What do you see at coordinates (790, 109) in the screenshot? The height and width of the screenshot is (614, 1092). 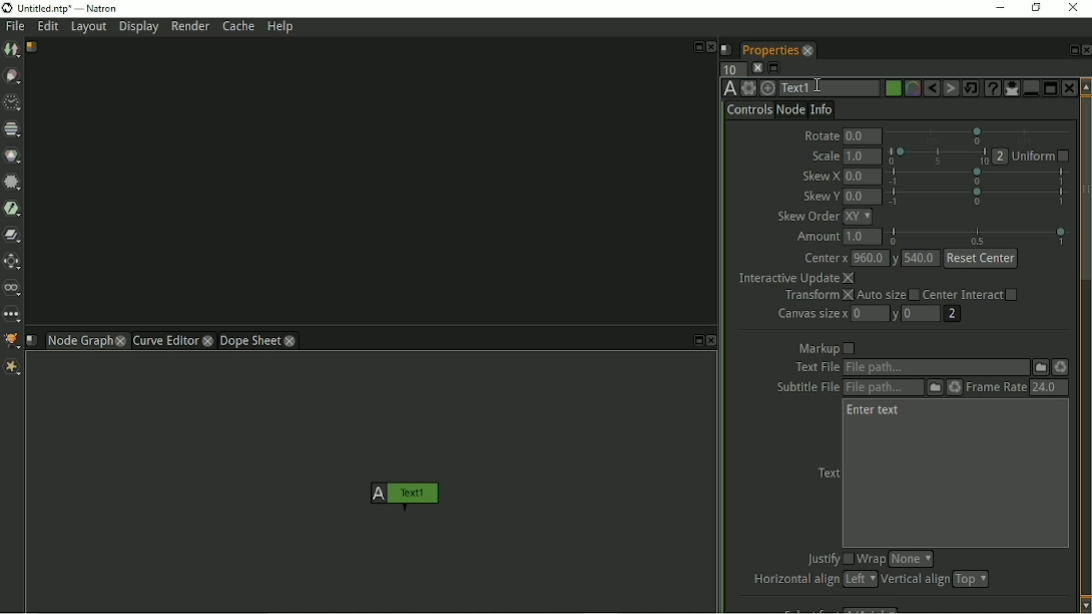 I see `Node` at bounding box center [790, 109].